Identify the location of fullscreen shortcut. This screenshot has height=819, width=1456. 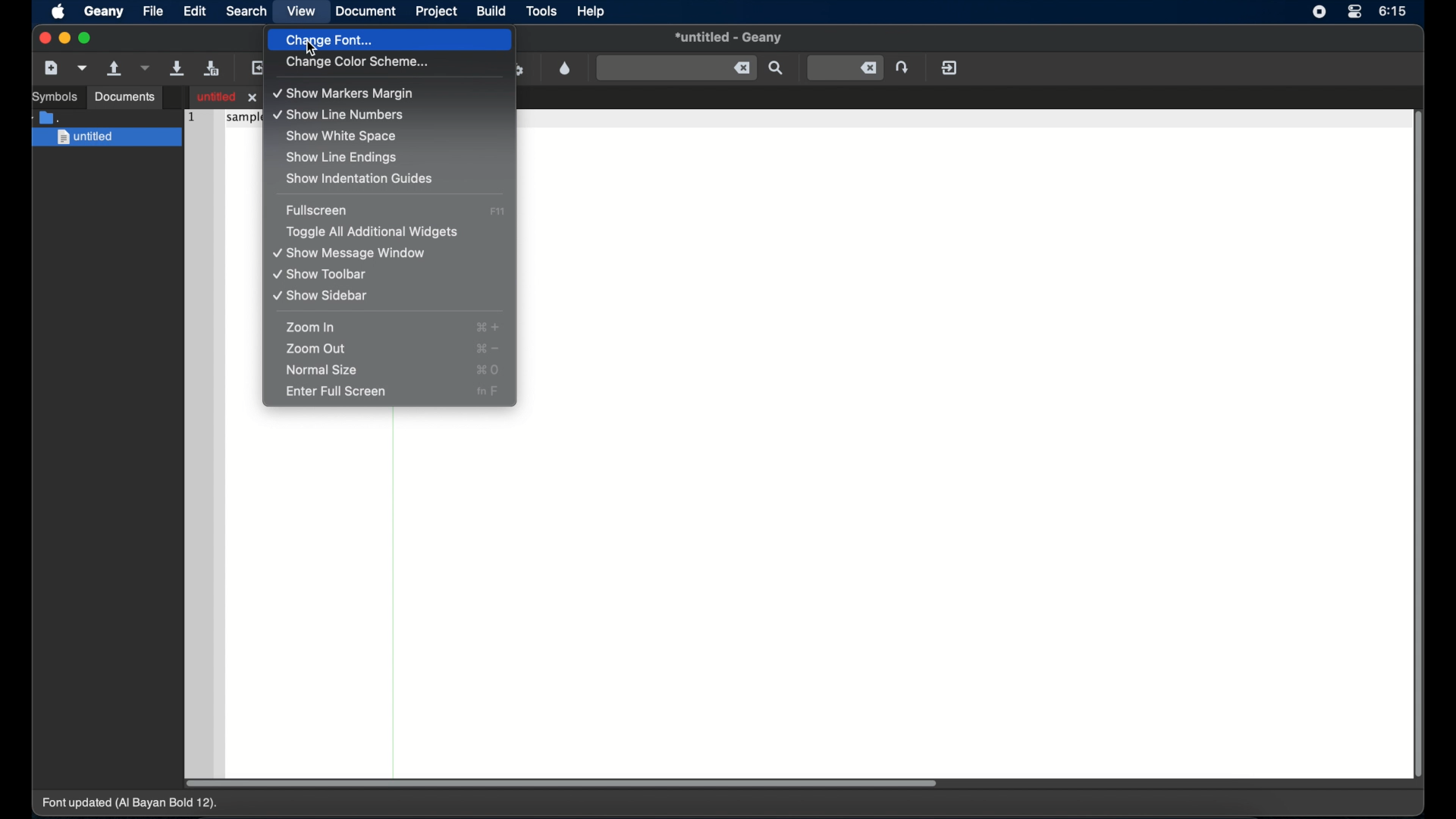
(497, 212).